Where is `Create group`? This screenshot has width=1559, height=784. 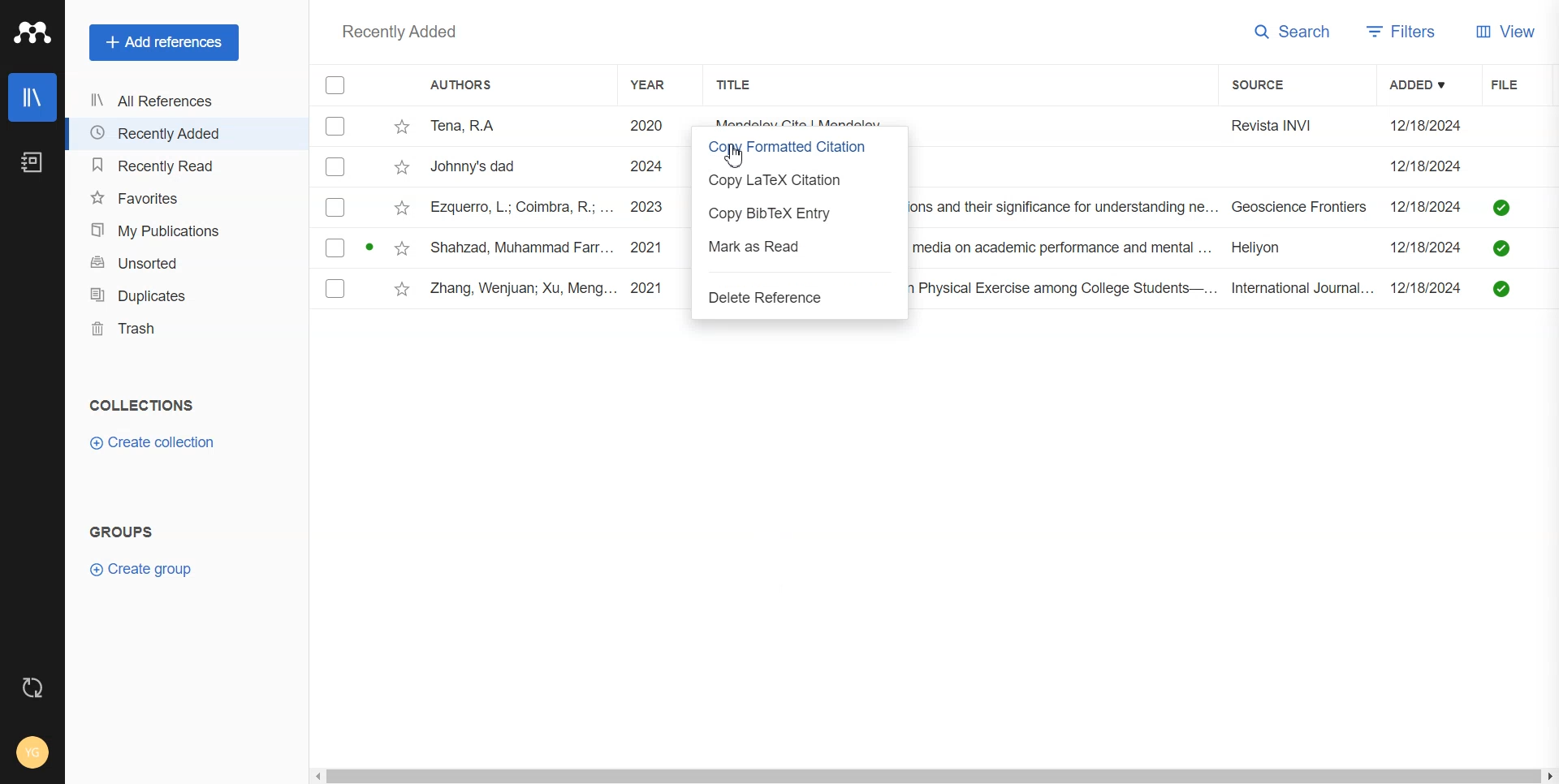
Create group is located at coordinates (140, 569).